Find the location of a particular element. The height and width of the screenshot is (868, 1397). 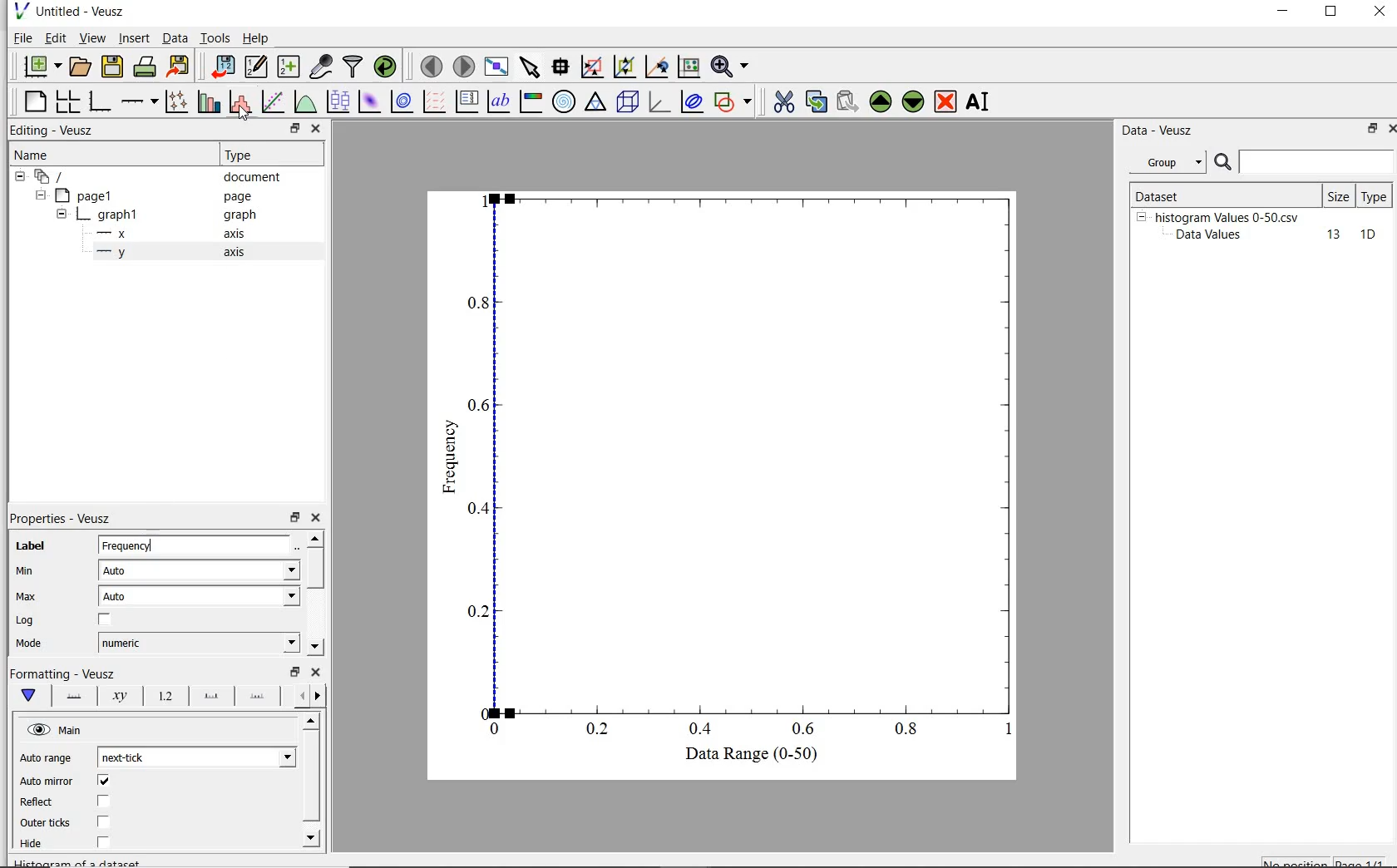

 frequency is located at coordinates (195, 545).